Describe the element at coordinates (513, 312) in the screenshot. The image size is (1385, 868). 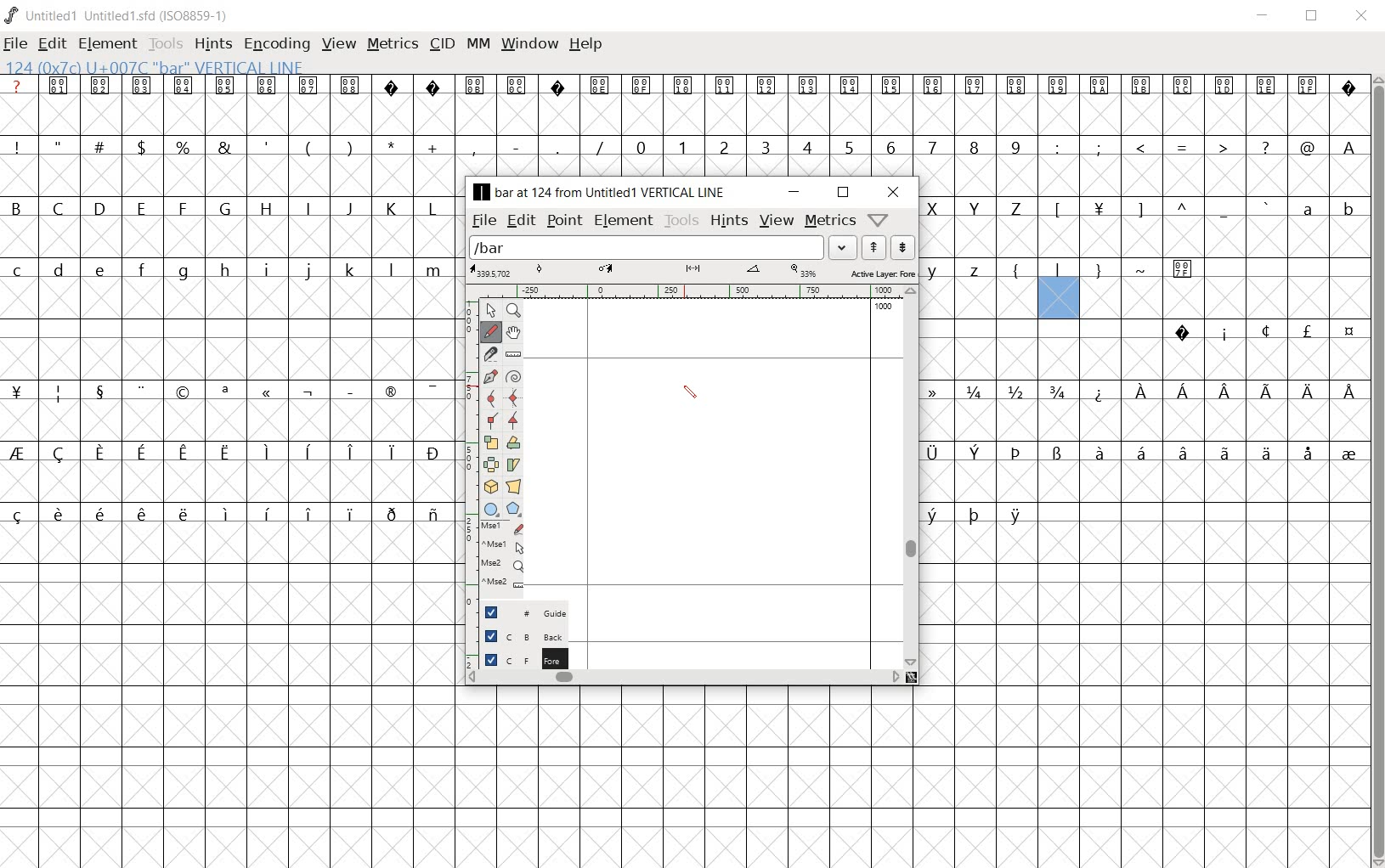
I see `Magnify` at that location.